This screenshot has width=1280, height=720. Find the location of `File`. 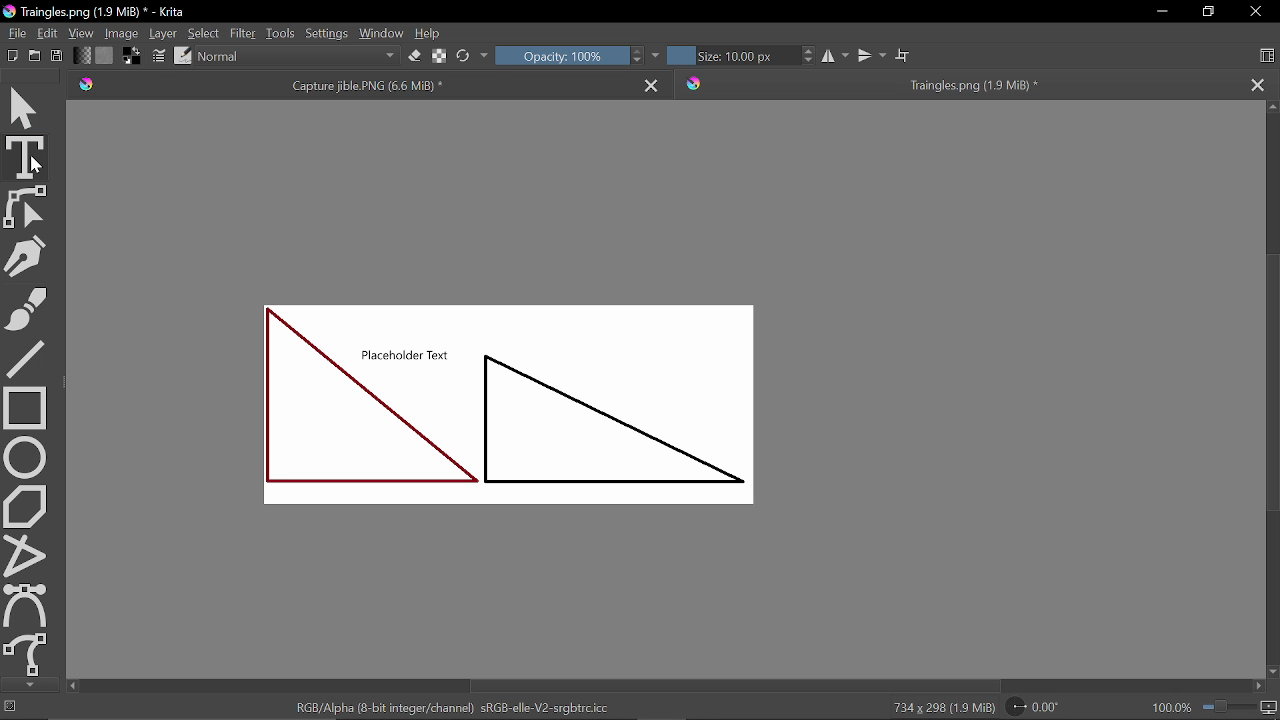

File is located at coordinates (18, 32).